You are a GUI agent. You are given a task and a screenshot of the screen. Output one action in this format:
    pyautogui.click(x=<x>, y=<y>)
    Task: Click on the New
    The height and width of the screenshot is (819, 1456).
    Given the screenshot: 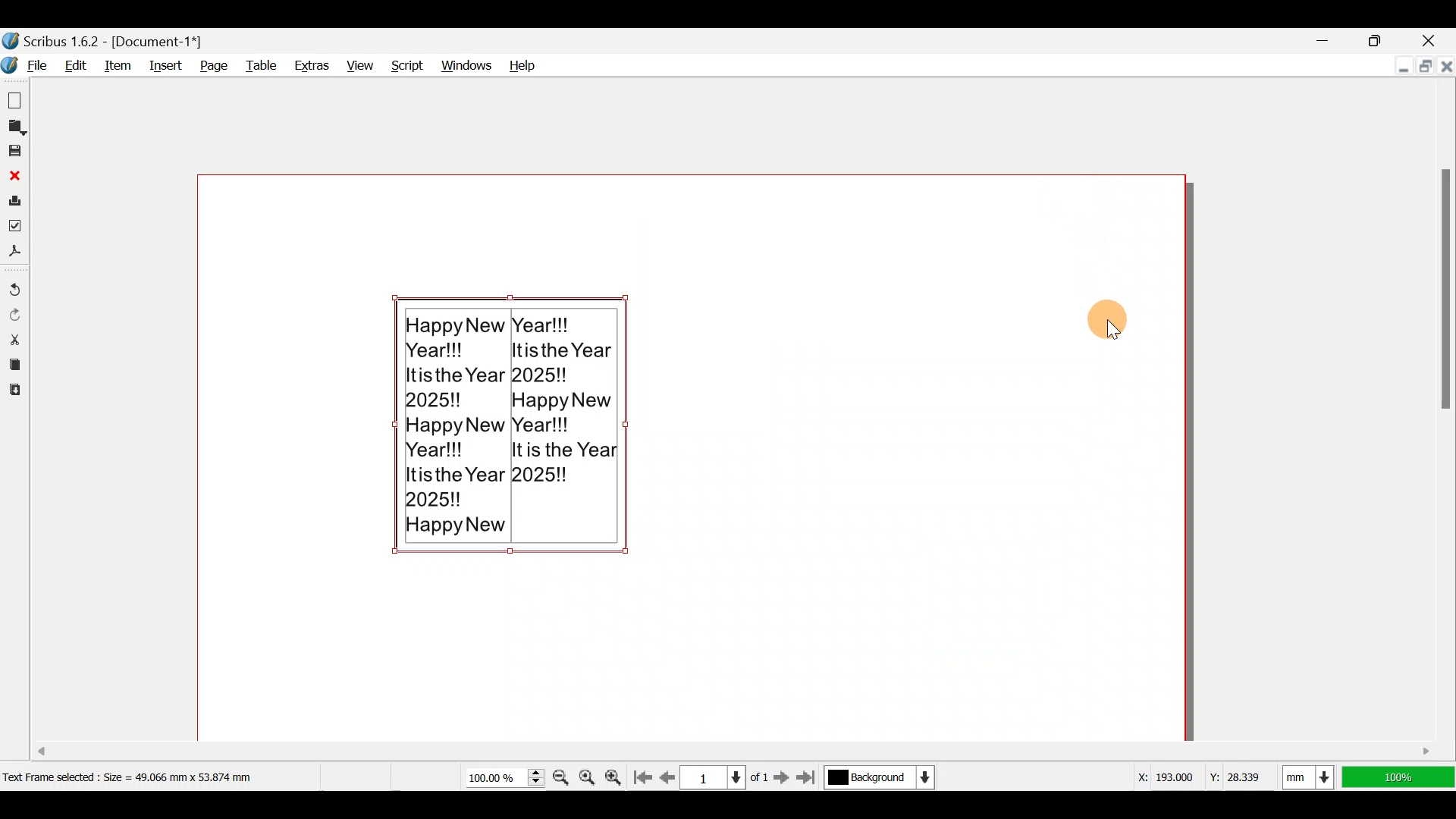 What is the action you would take?
    pyautogui.click(x=17, y=99)
    